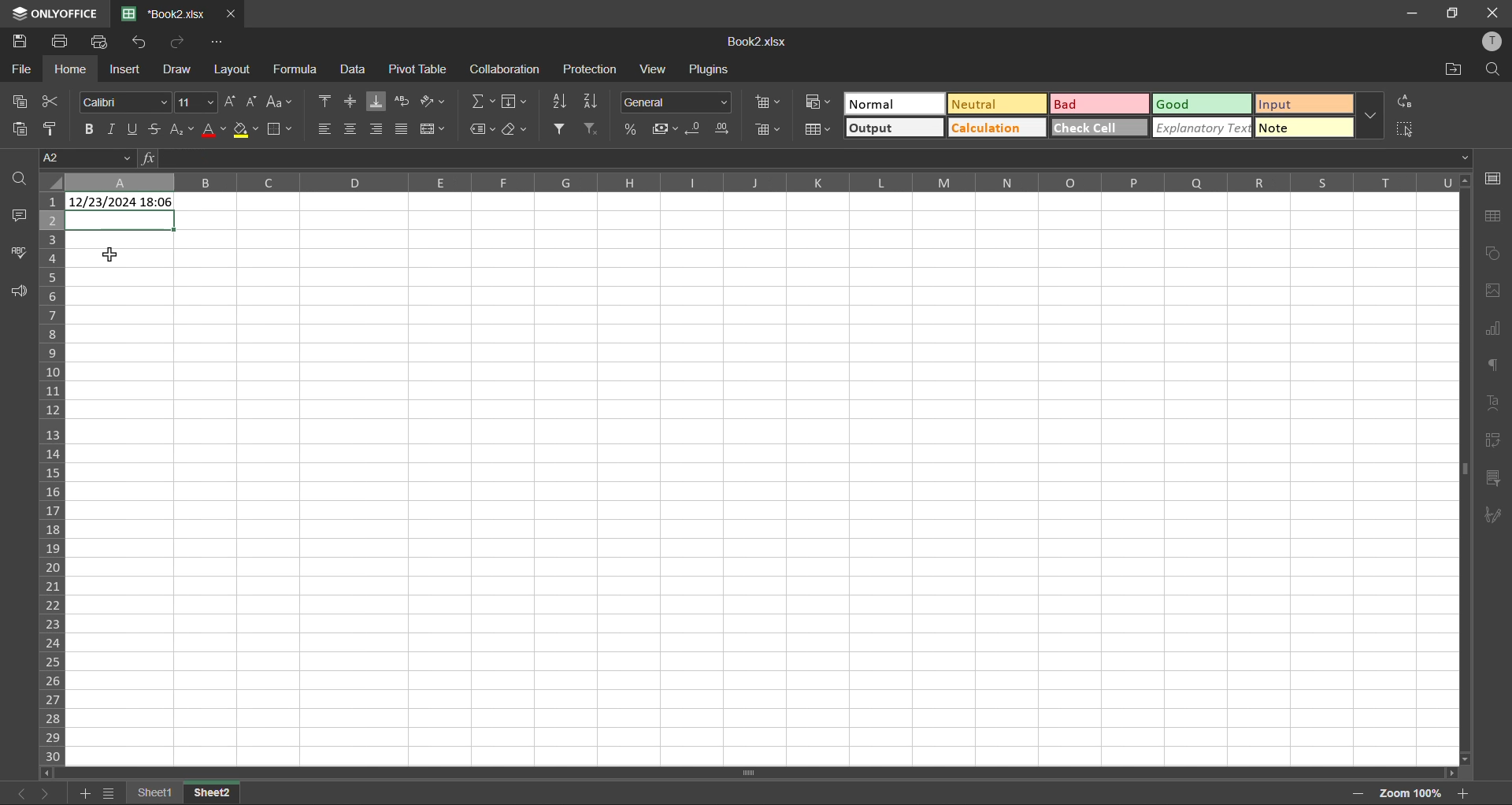 The width and height of the screenshot is (1512, 805). I want to click on sheet 1, so click(154, 792).